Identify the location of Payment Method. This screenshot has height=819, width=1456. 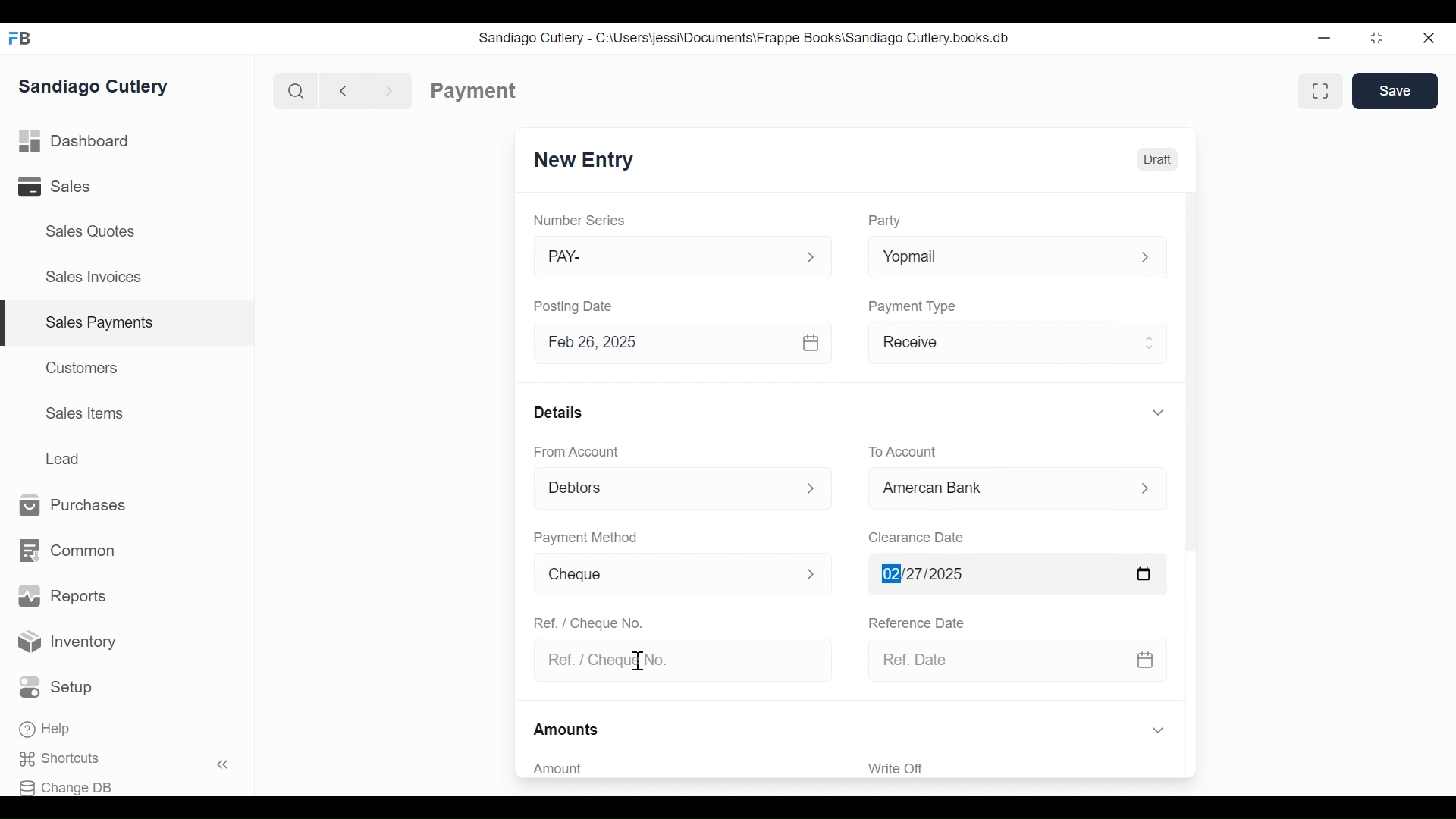
(585, 538).